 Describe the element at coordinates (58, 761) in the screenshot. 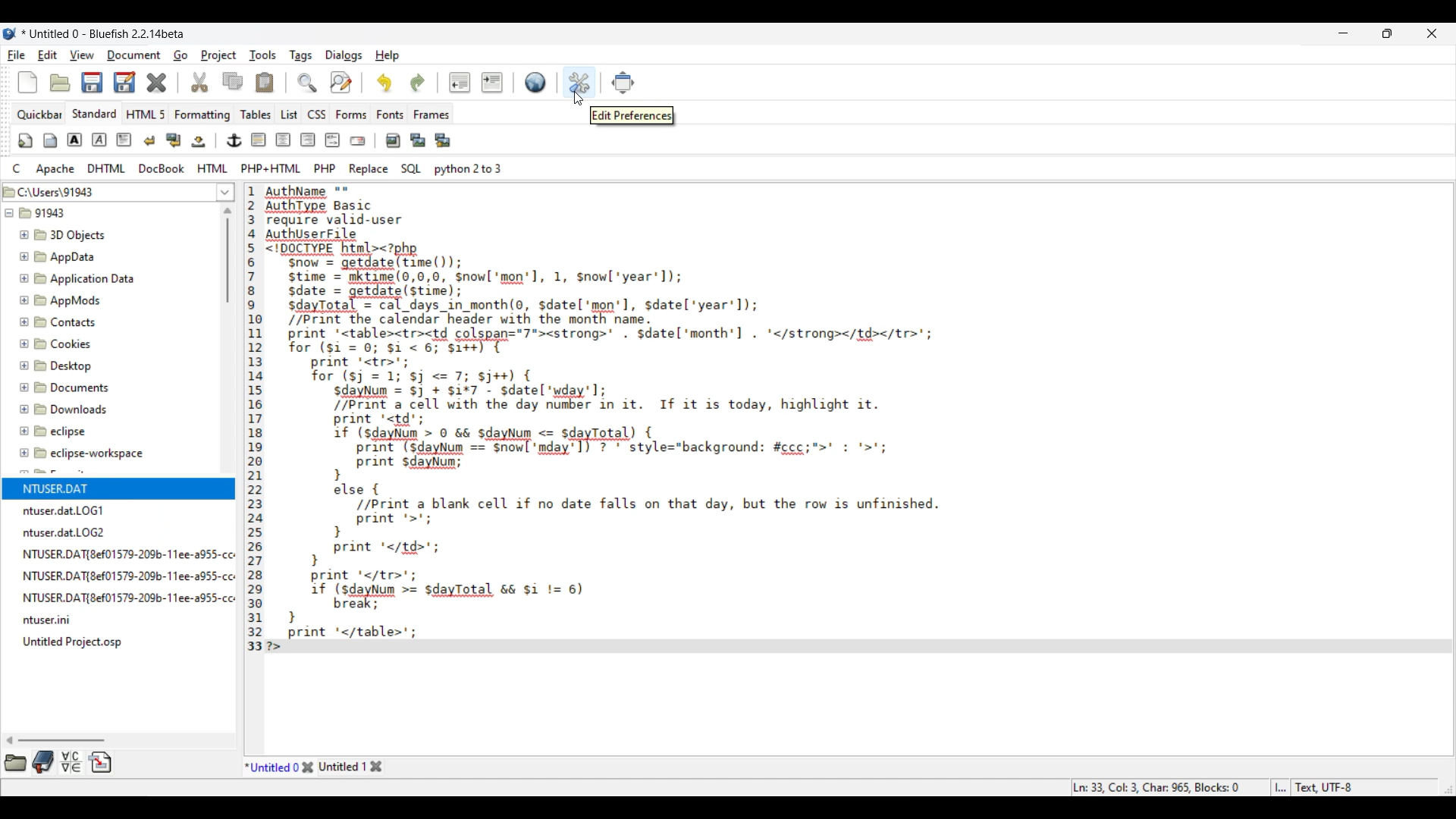

I see `More tool options` at that location.